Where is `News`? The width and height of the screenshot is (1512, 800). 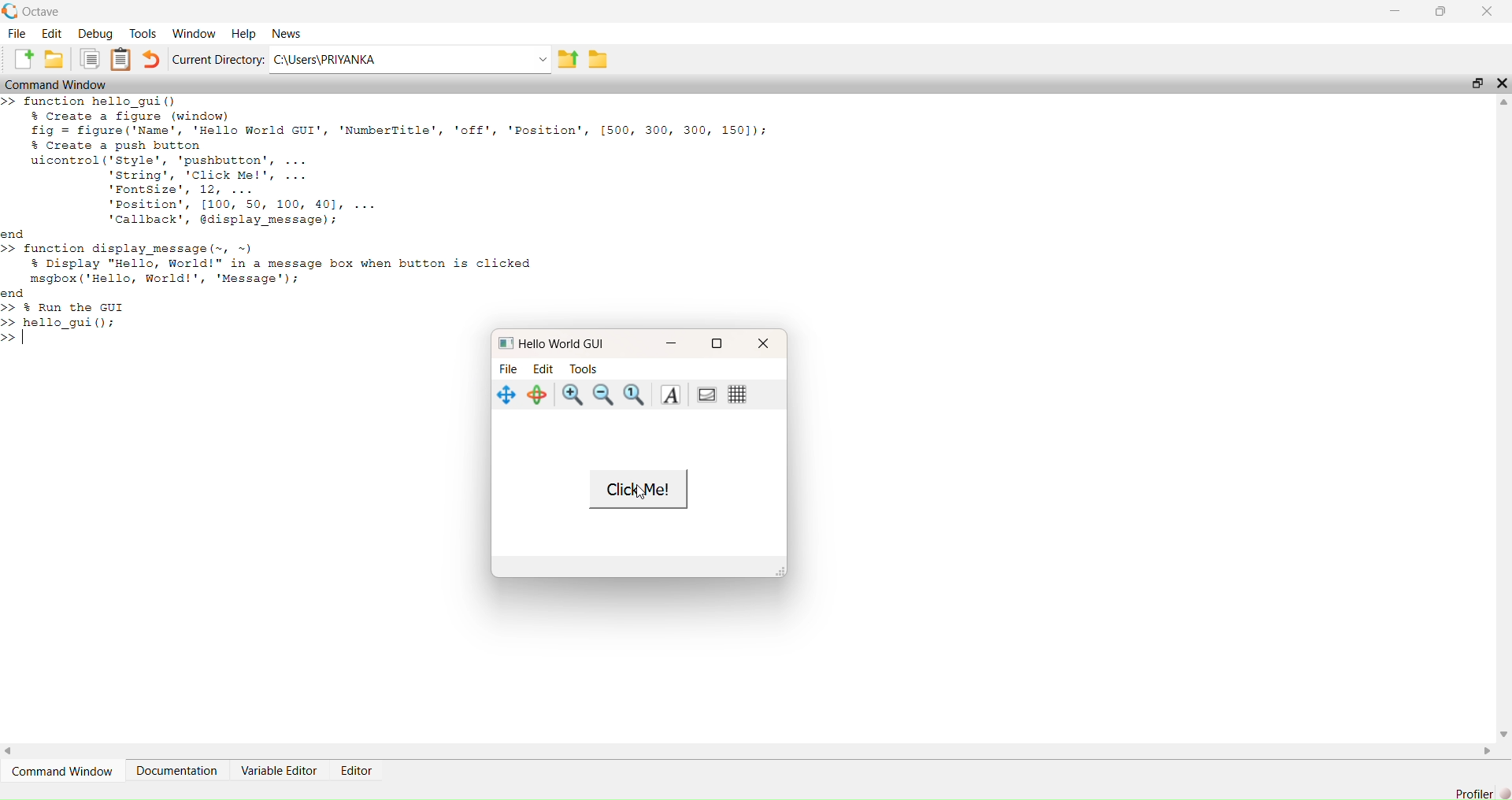
News is located at coordinates (286, 32).